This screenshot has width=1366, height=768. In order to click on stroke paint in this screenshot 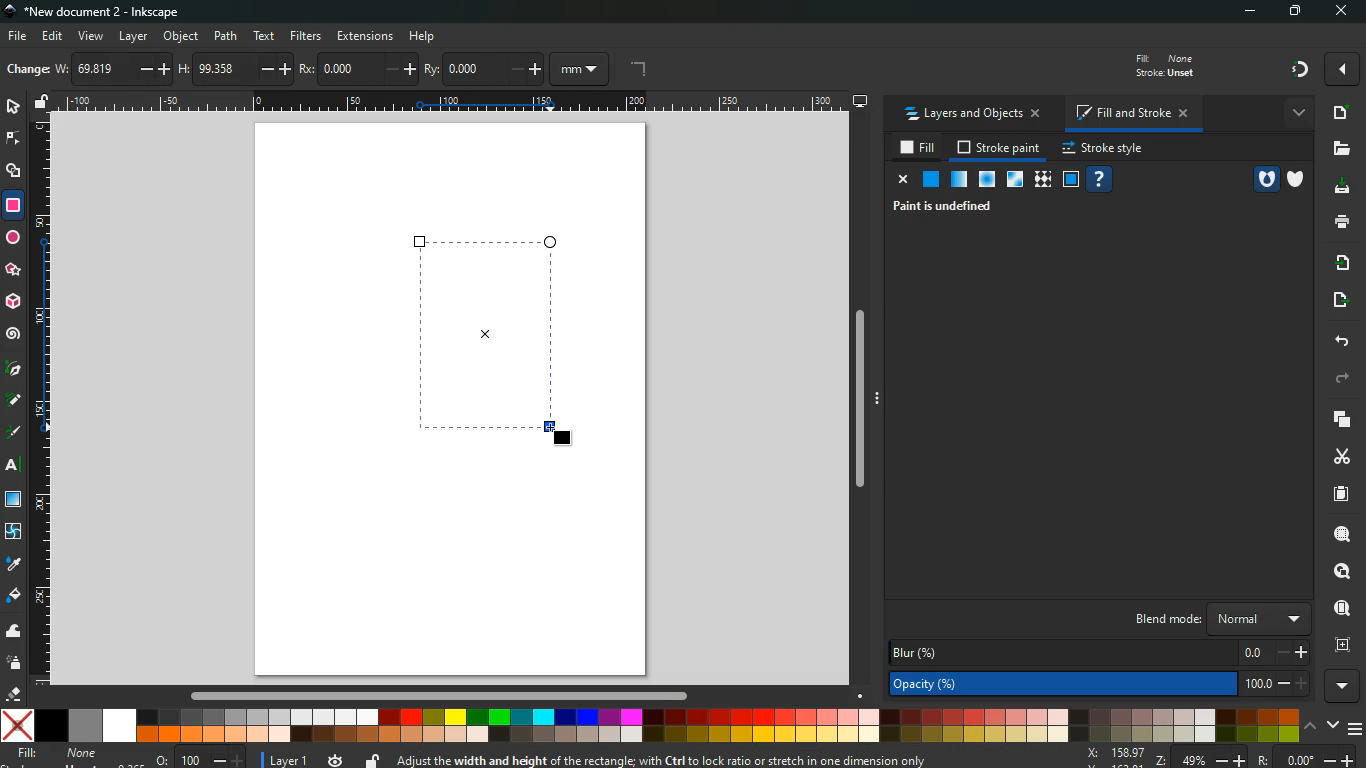, I will do `click(999, 148)`.